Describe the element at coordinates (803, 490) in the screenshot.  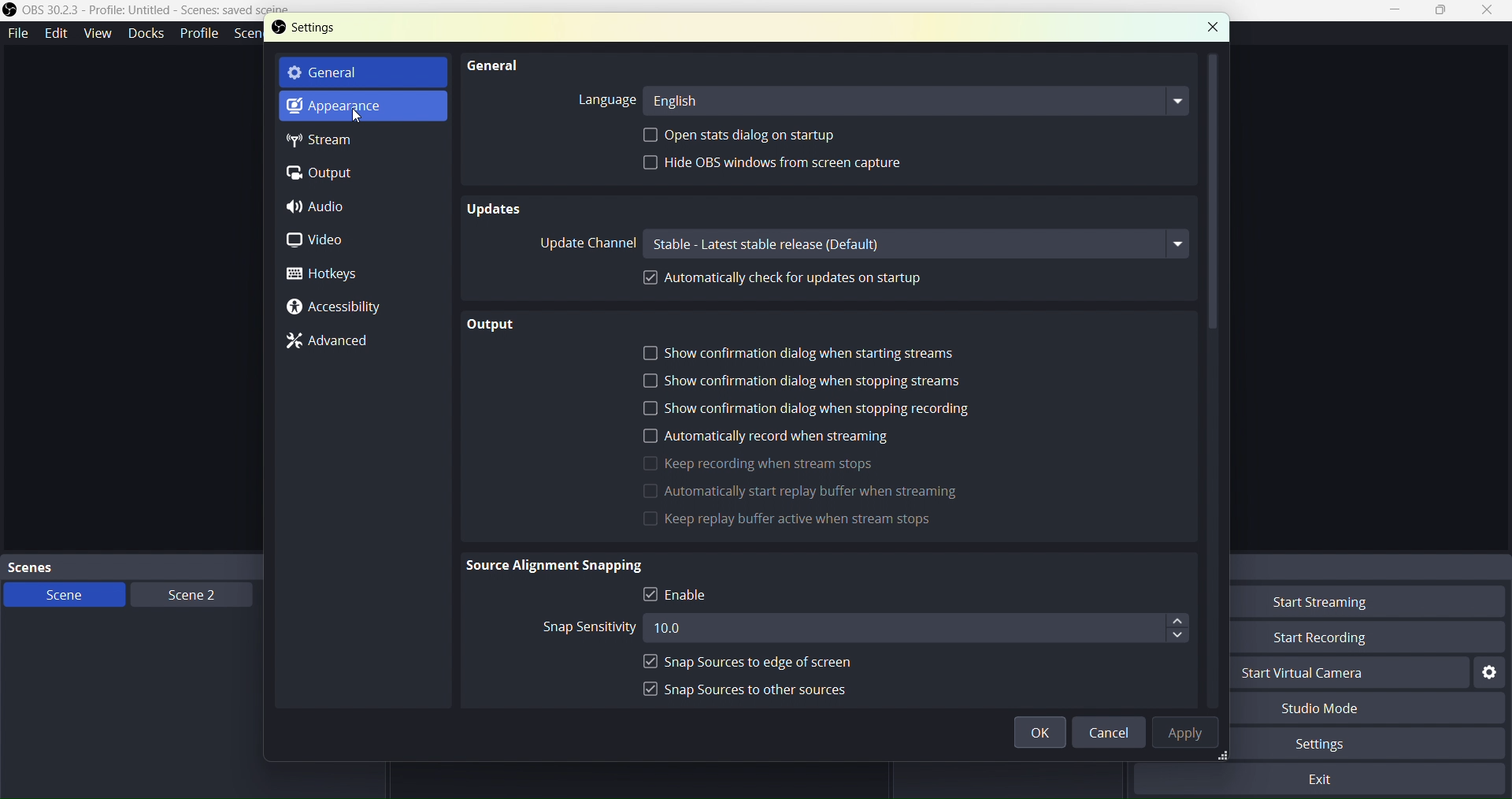
I see `grey out options` at that location.